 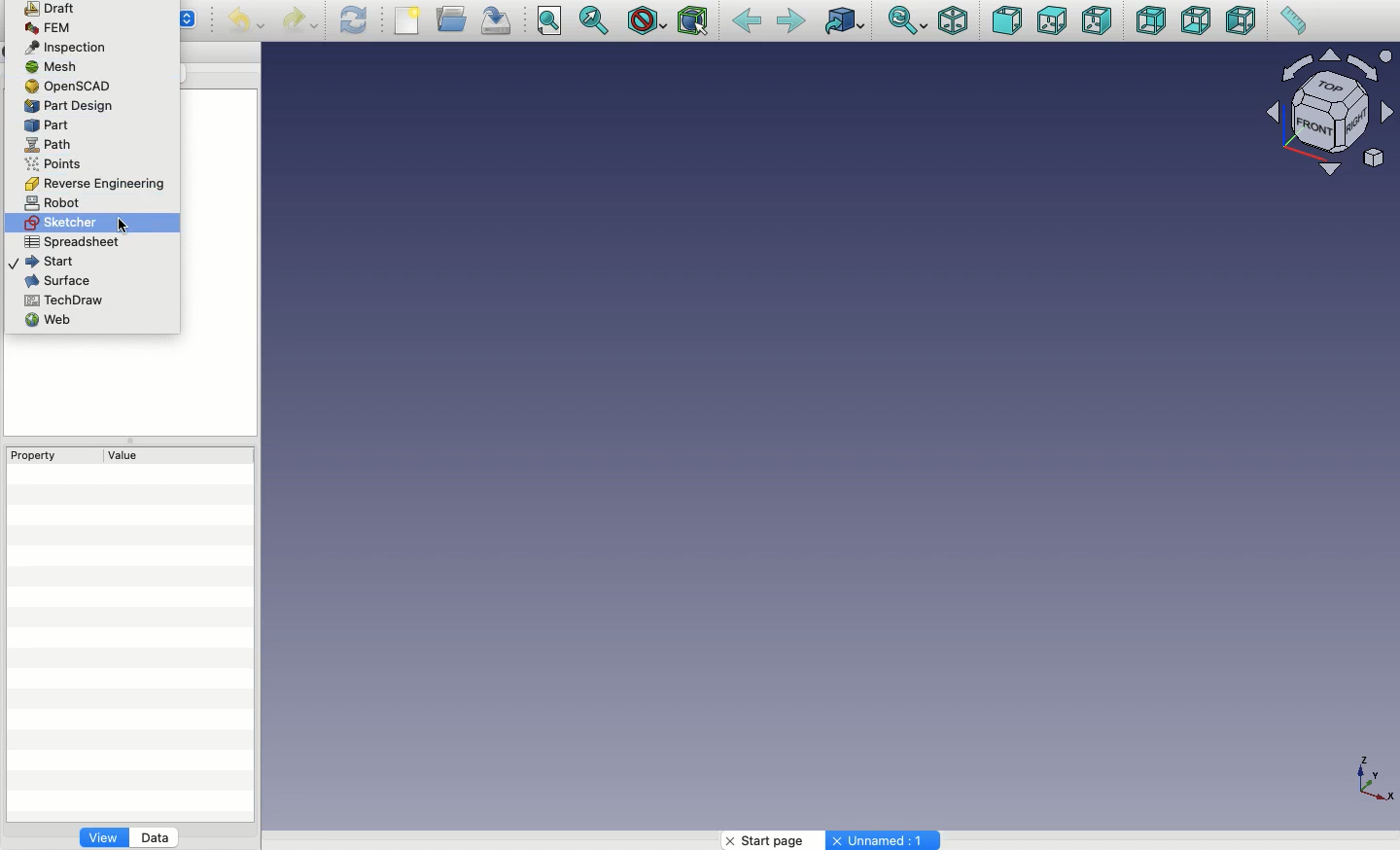 What do you see at coordinates (551, 21) in the screenshot?
I see `Fit all` at bounding box center [551, 21].